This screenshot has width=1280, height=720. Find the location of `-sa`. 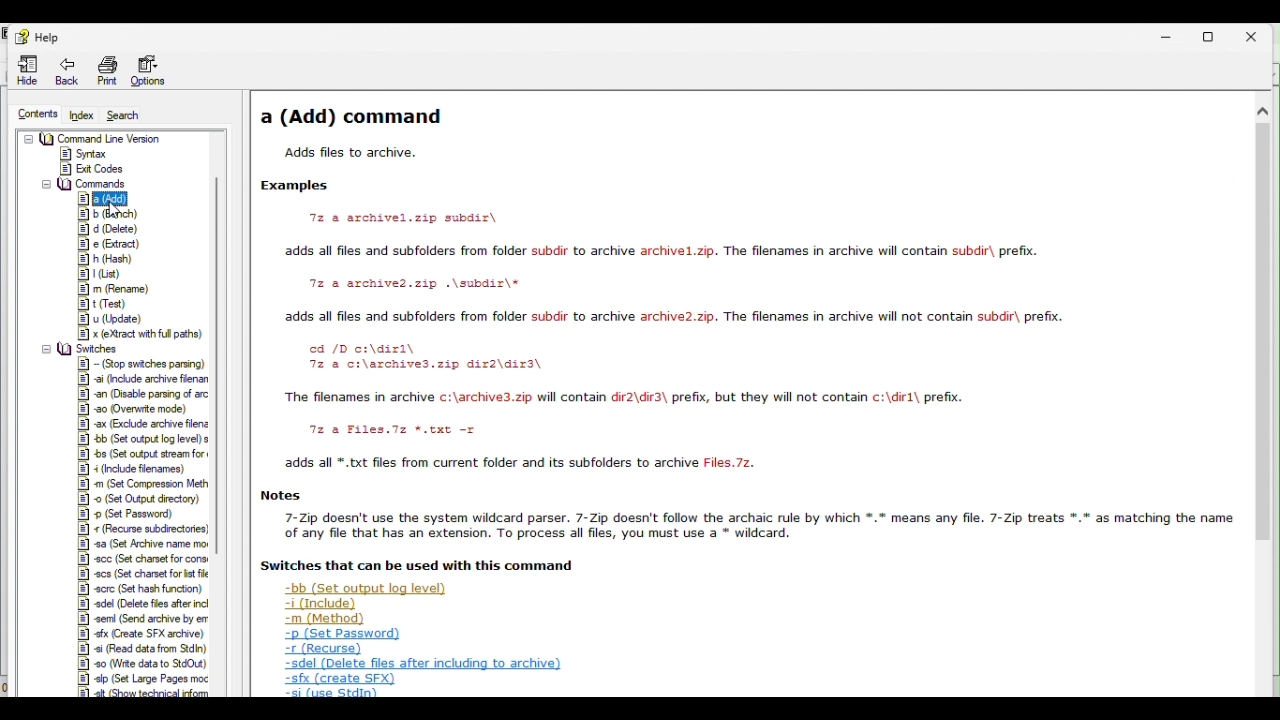

-sa is located at coordinates (142, 544).